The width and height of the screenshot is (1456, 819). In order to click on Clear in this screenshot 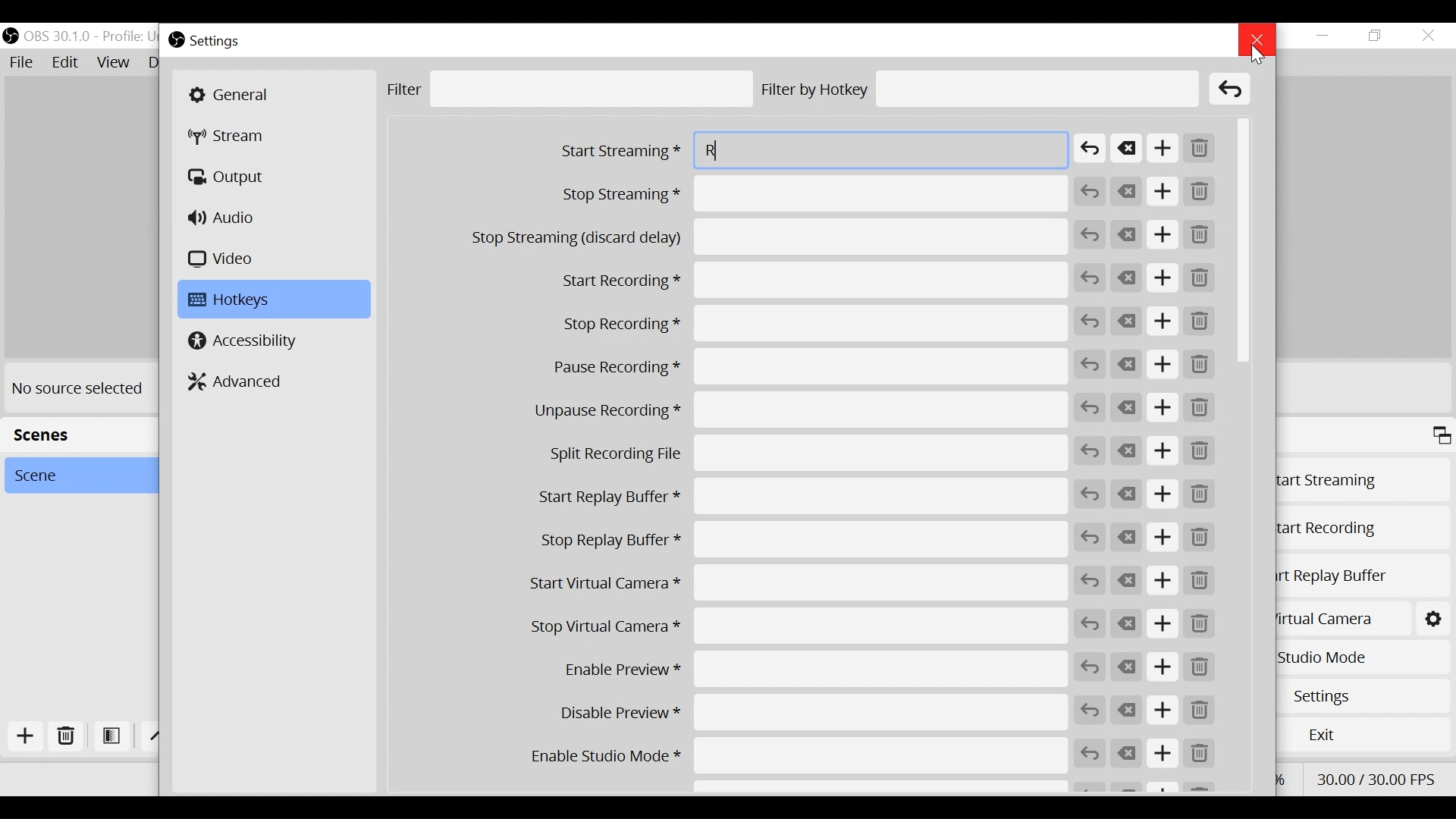, I will do `click(1128, 753)`.